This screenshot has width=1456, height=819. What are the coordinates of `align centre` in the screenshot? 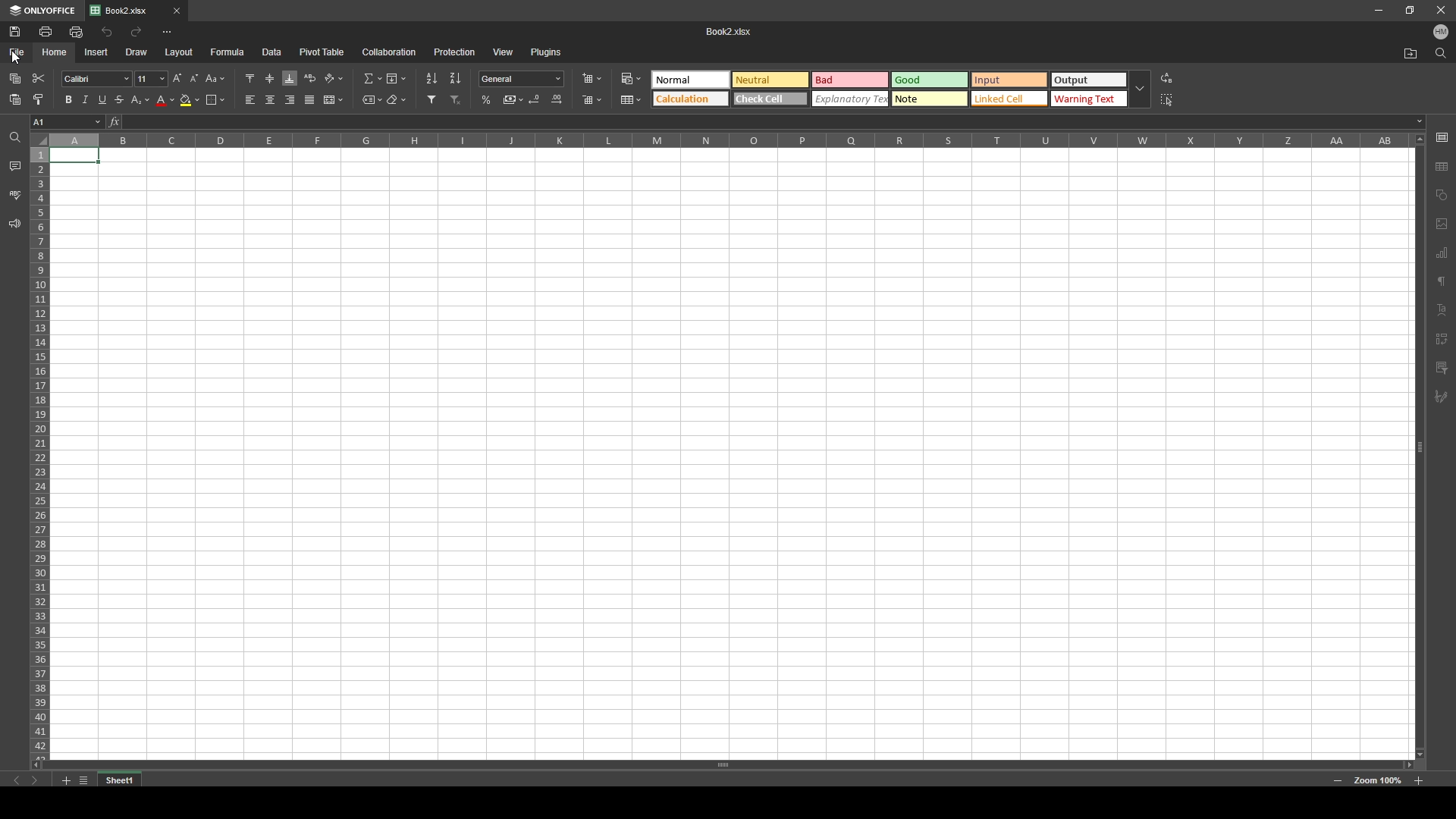 It's located at (271, 99).